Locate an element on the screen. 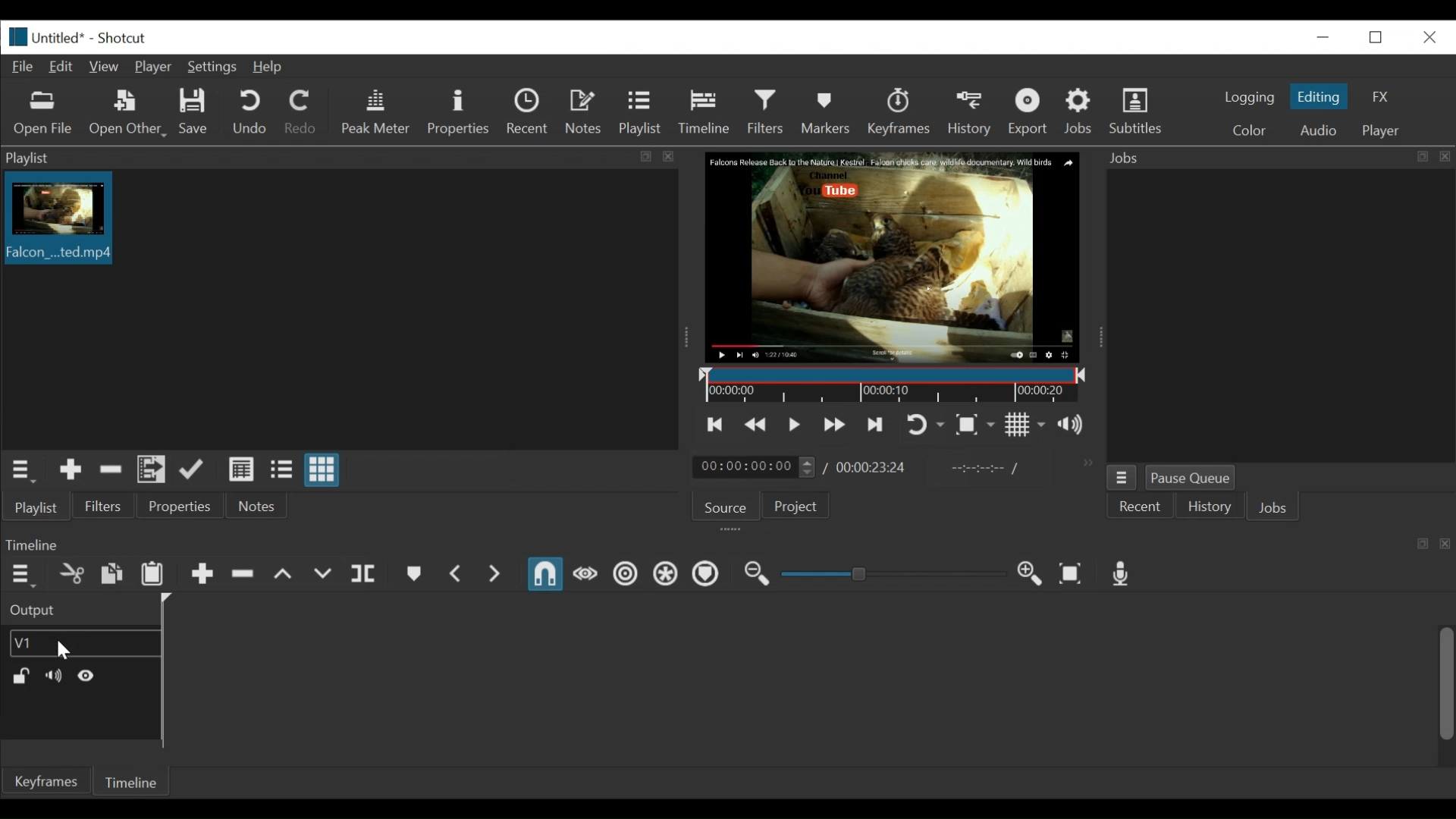  Update is located at coordinates (195, 470).